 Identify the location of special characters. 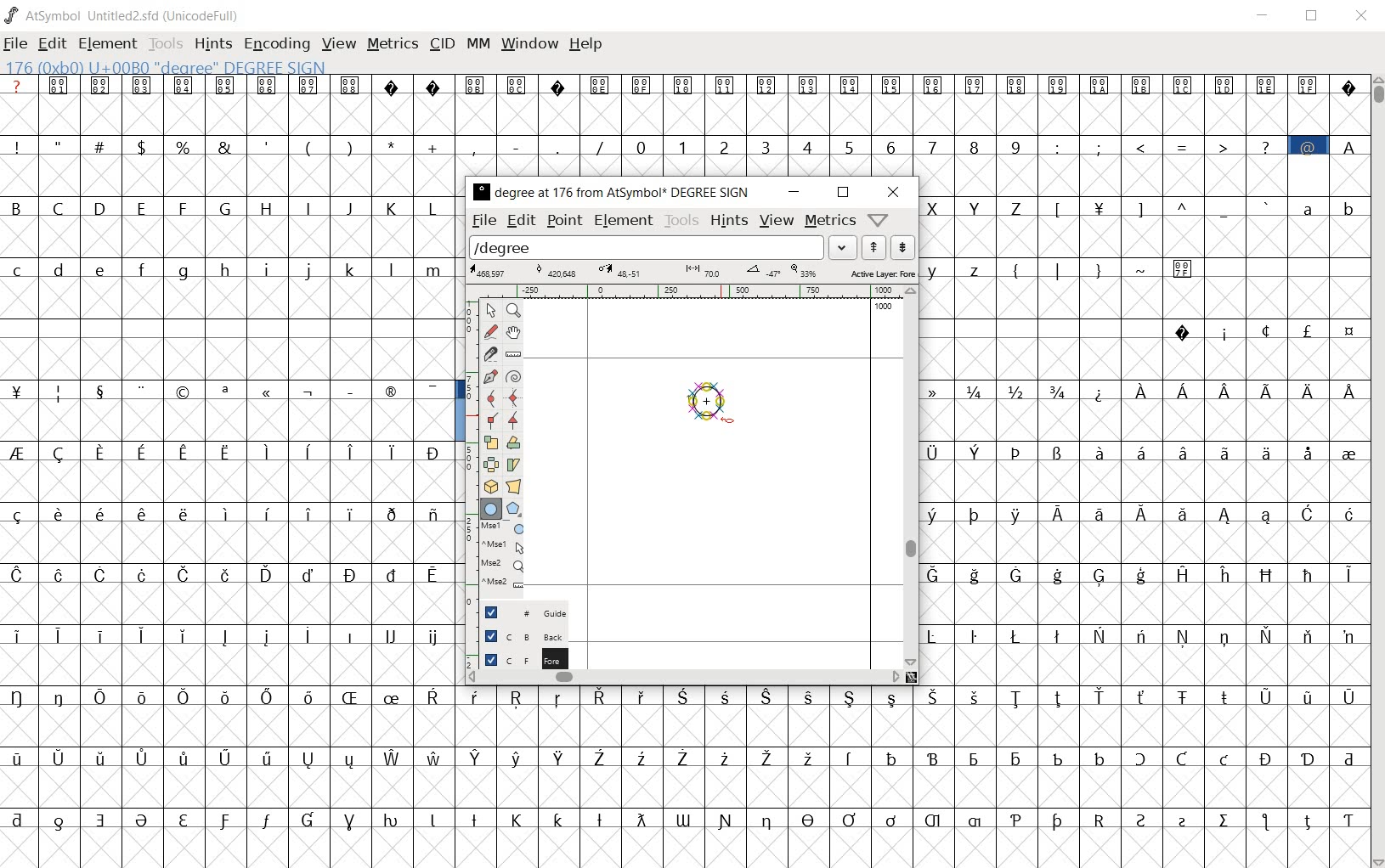
(307, 144).